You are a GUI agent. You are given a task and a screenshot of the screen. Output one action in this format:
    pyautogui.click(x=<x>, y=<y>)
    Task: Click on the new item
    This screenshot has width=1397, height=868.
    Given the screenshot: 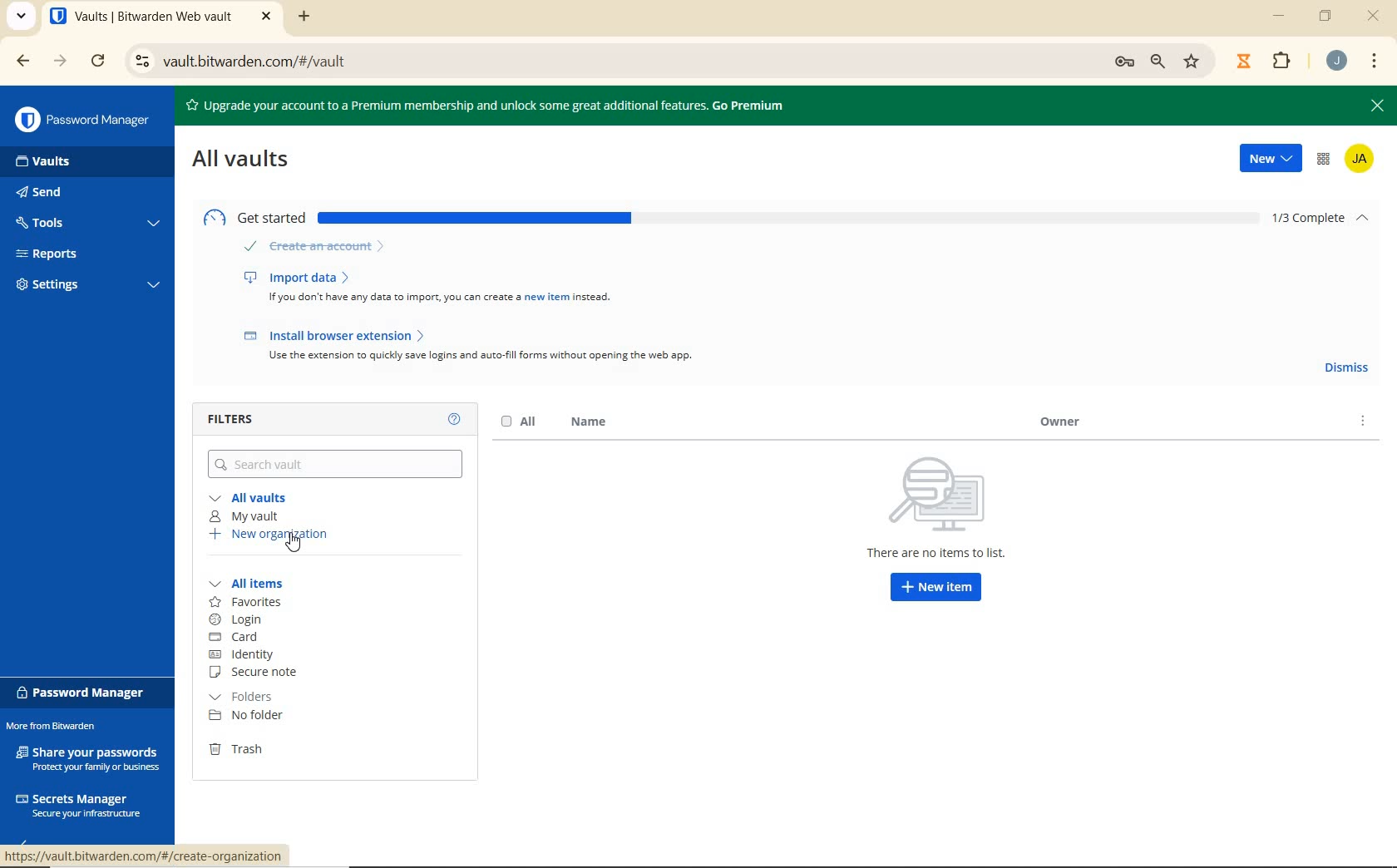 What is the action you would take?
    pyautogui.click(x=935, y=589)
    